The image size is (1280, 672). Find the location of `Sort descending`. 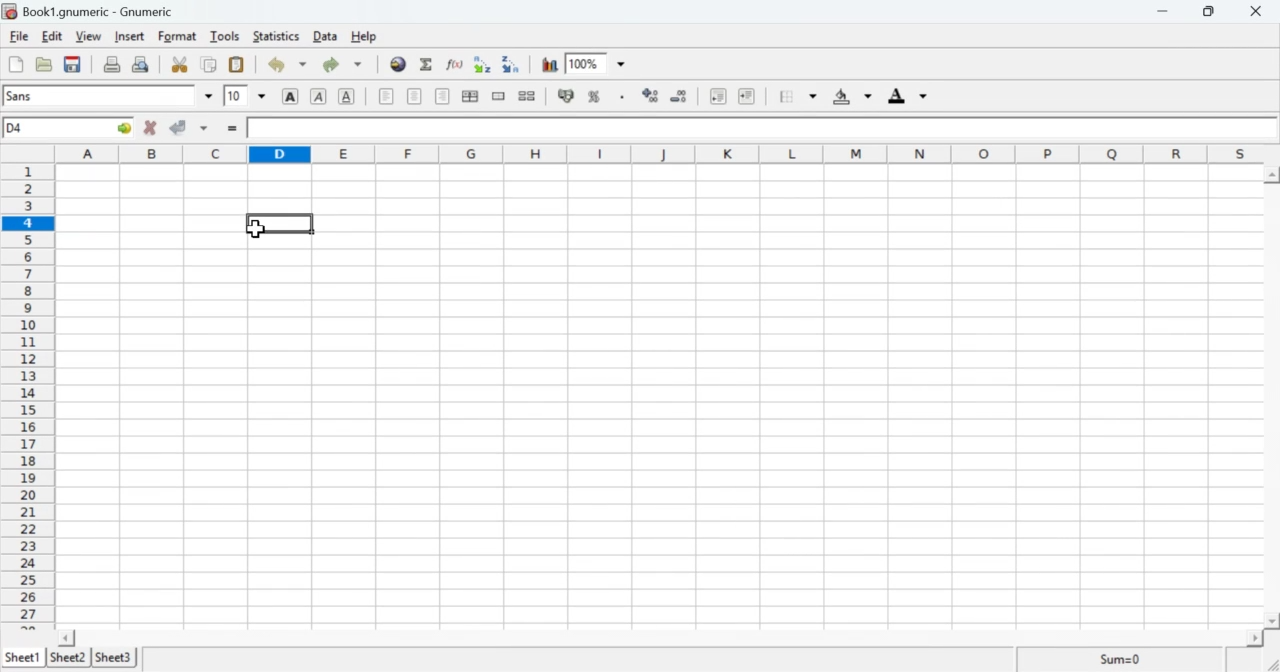

Sort descending is located at coordinates (513, 65).